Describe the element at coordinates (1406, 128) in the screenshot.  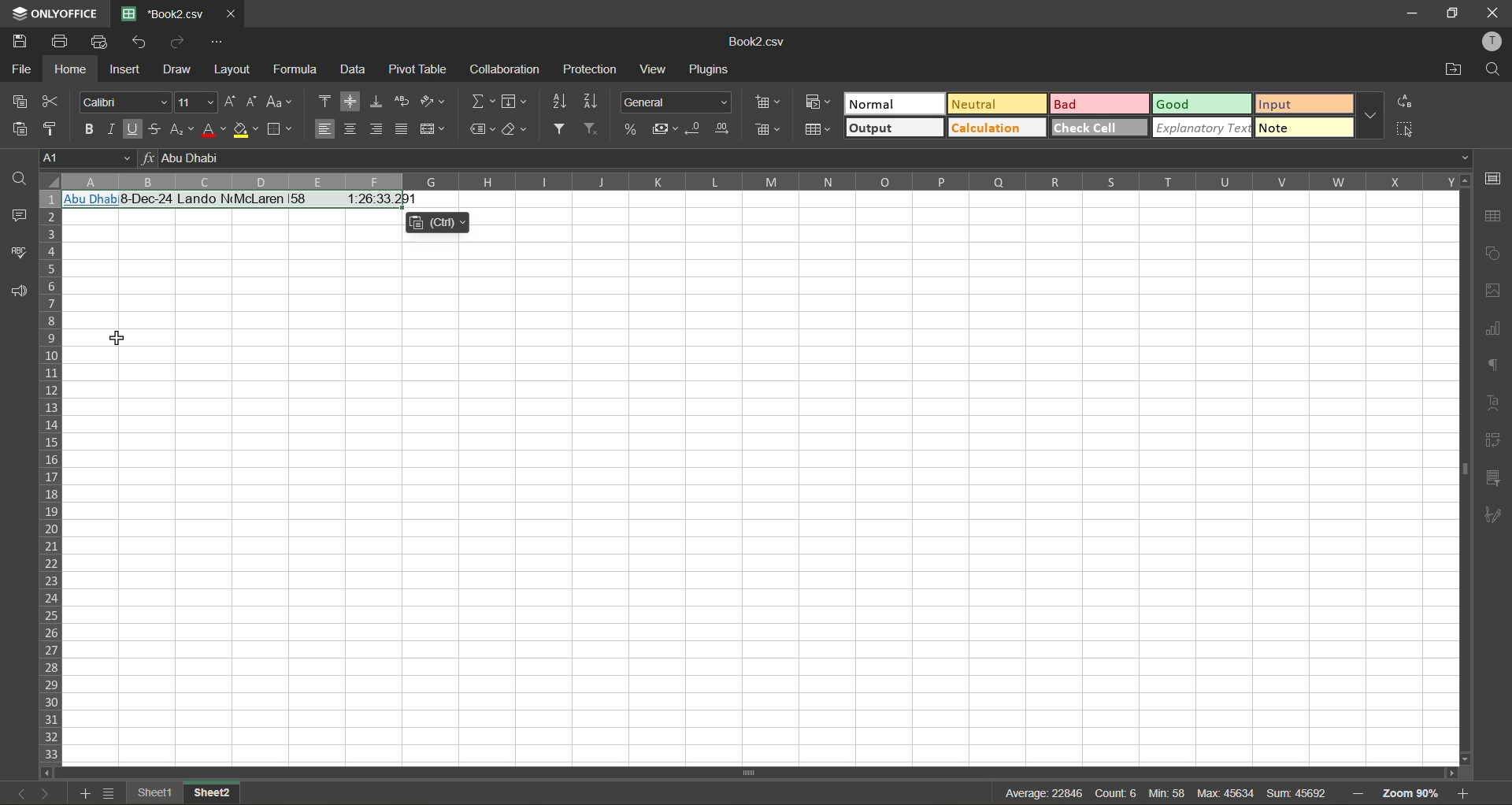
I see `select all` at that location.